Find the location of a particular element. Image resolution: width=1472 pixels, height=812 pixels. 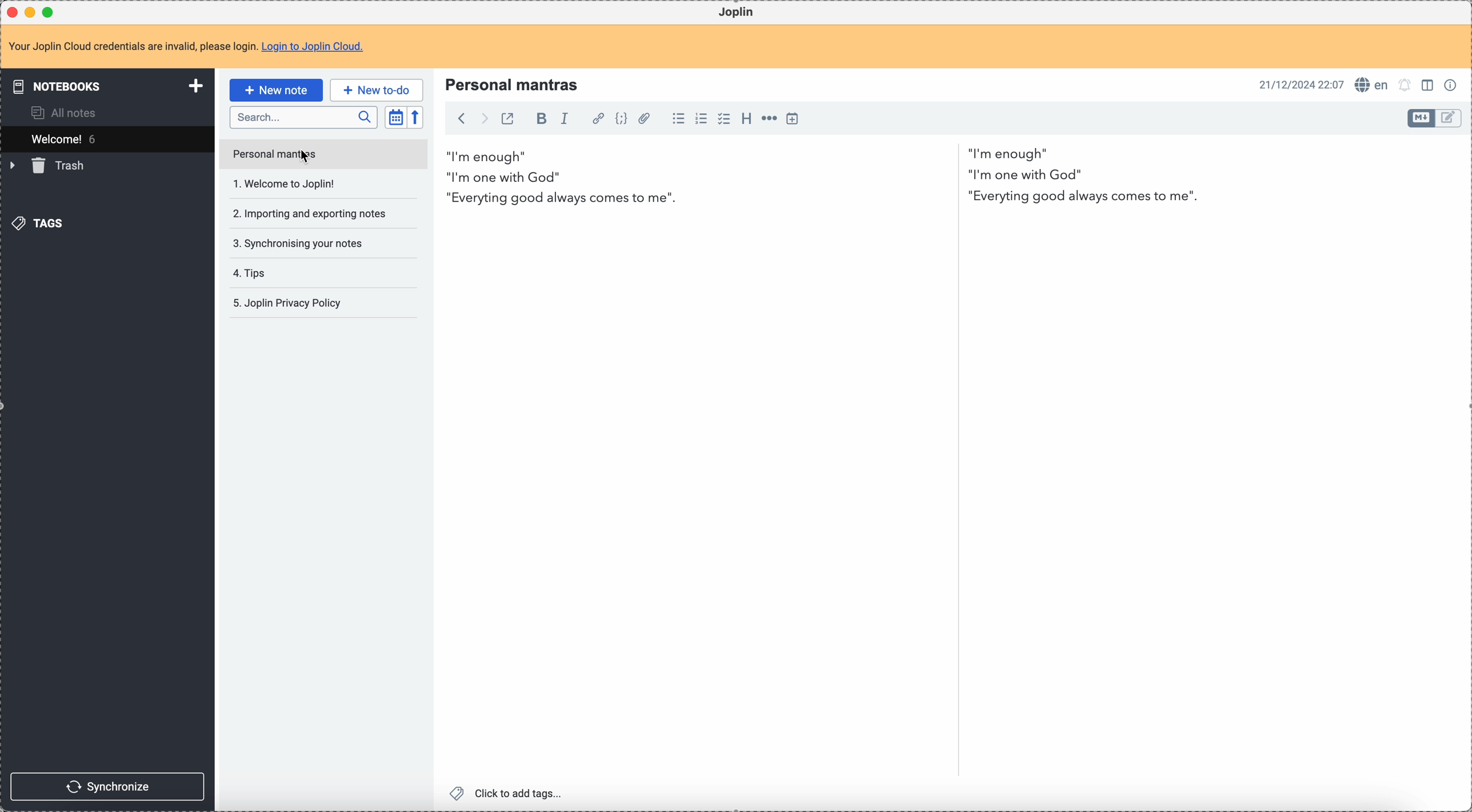

foward is located at coordinates (483, 119).